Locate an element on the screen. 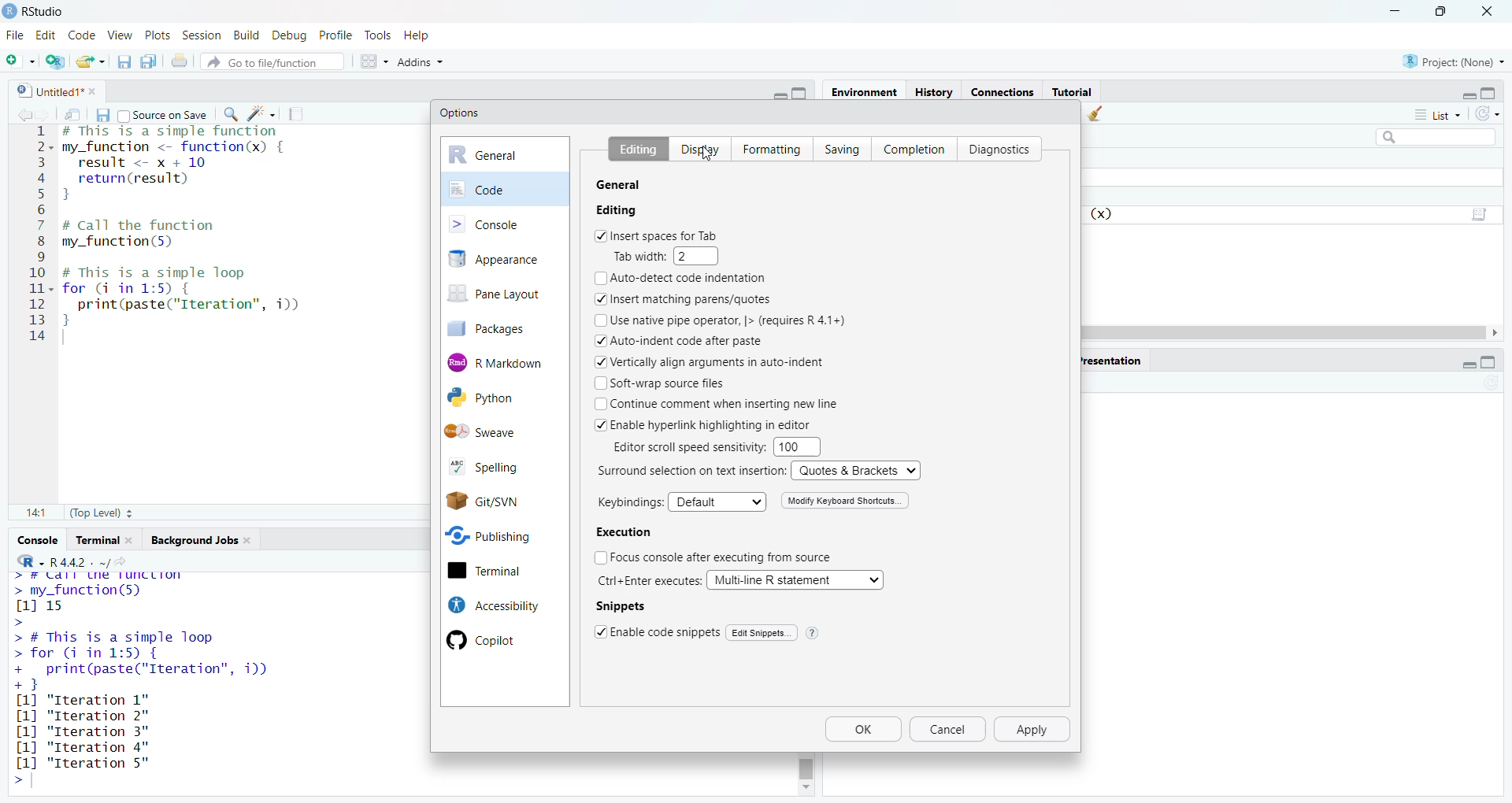  save current document is located at coordinates (124, 61).